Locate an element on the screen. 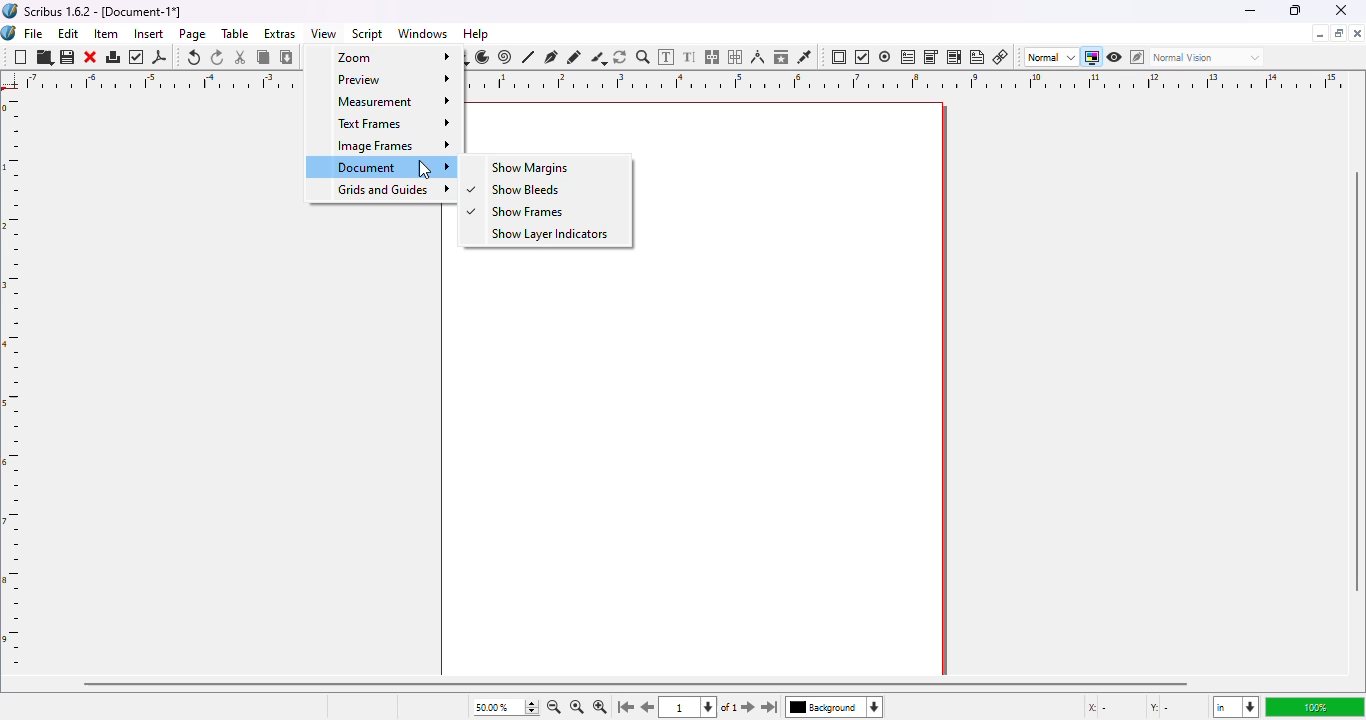 The width and height of the screenshot is (1366, 720). edit is located at coordinates (68, 33).